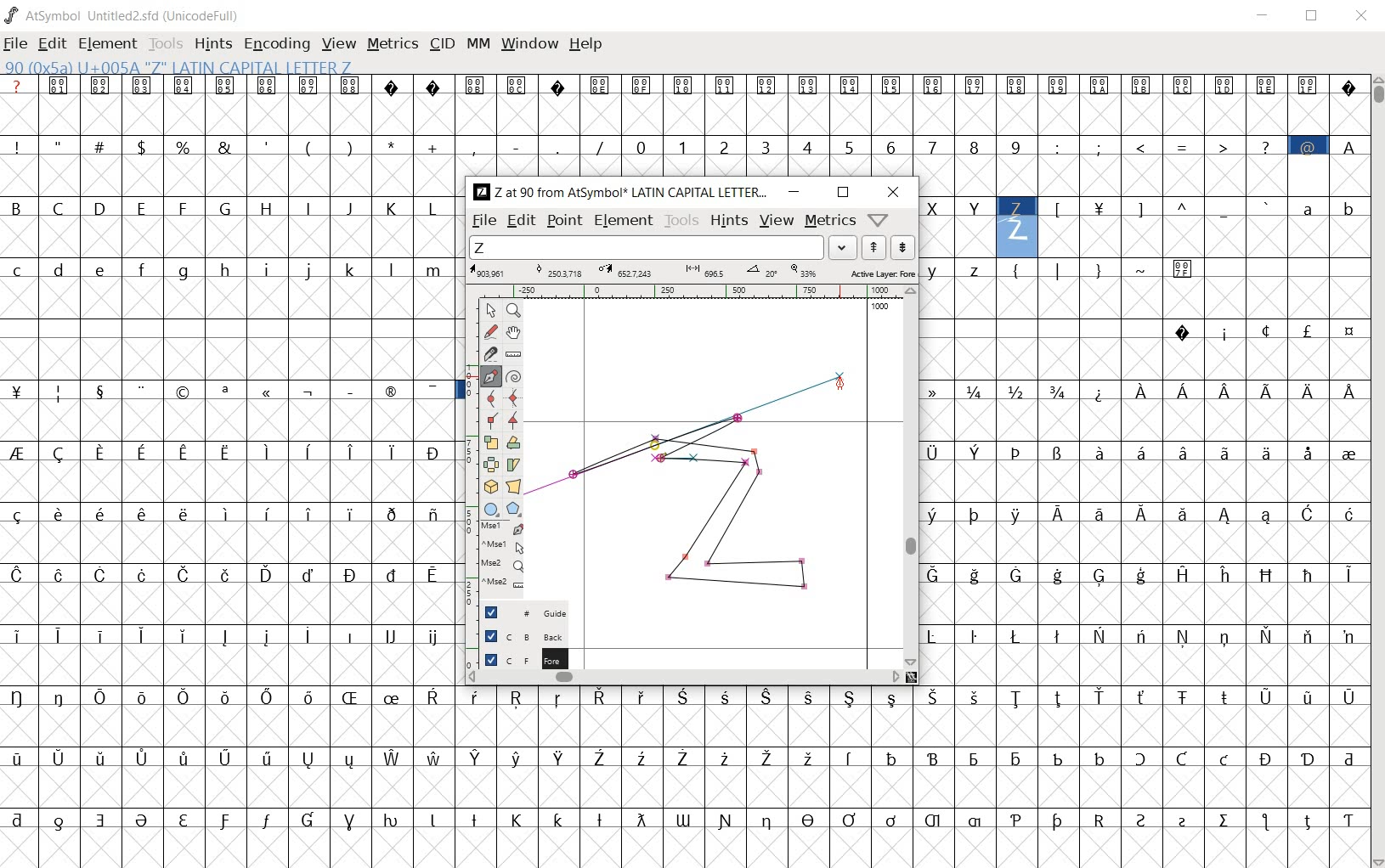  Describe the element at coordinates (913, 777) in the screenshot. I see `glyph characters` at that location.